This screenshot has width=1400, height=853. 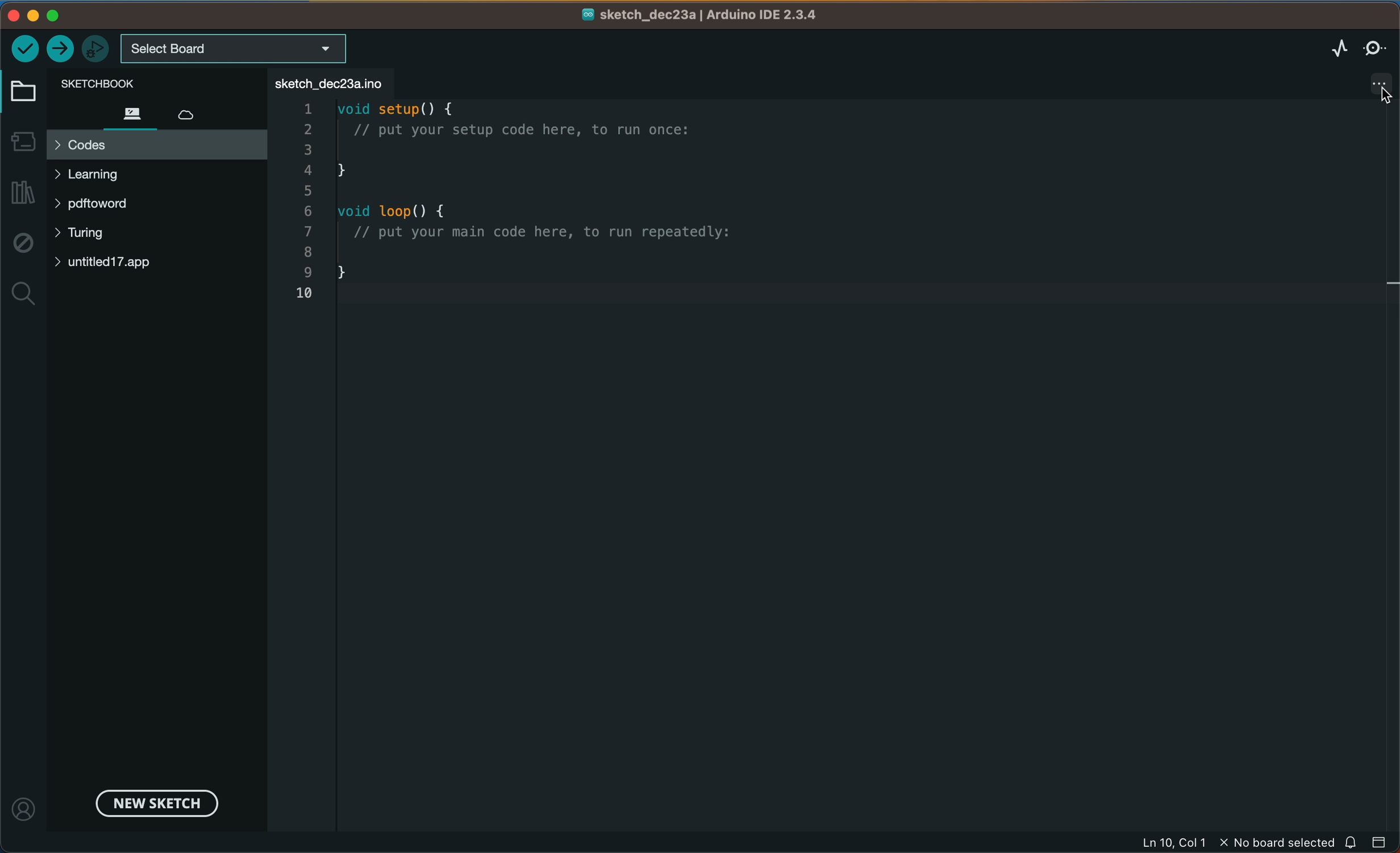 I want to click on untitled 17, so click(x=116, y=262).